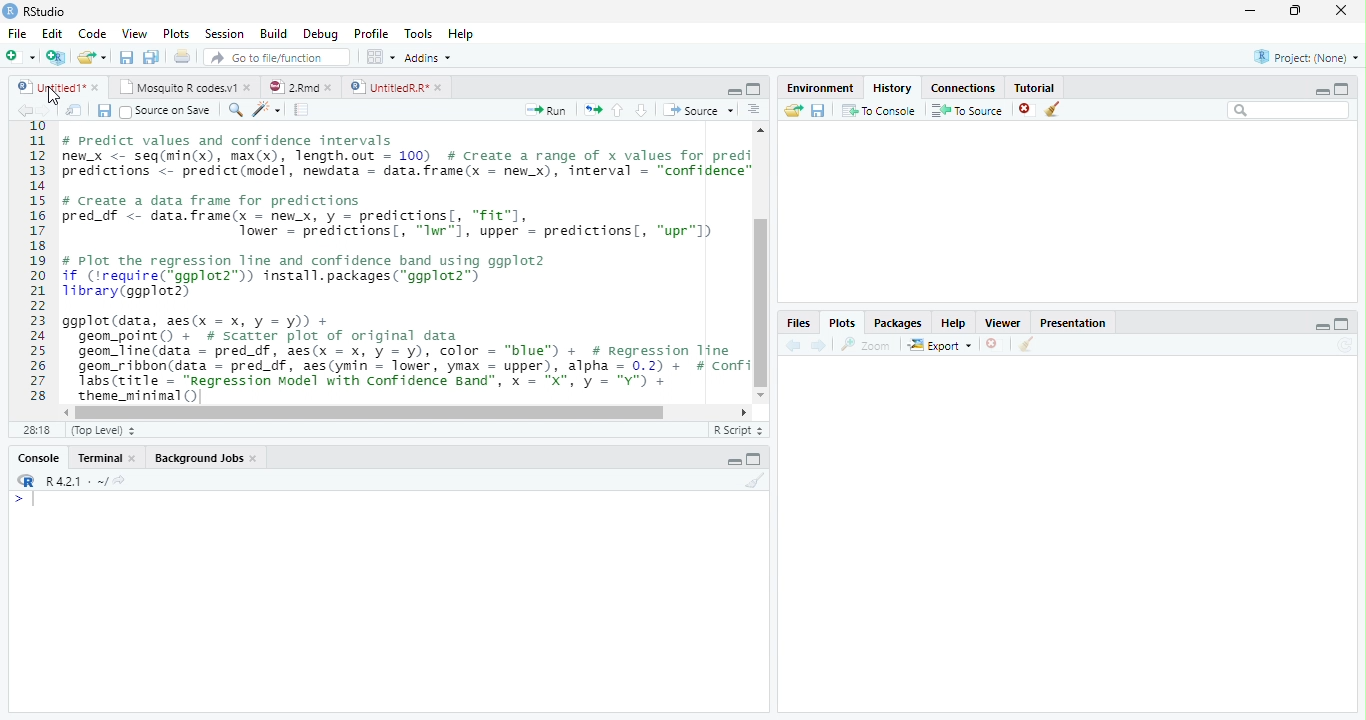  Describe the element at coordinates (106, 111) in the screenshot. I see `Save ` at that location.